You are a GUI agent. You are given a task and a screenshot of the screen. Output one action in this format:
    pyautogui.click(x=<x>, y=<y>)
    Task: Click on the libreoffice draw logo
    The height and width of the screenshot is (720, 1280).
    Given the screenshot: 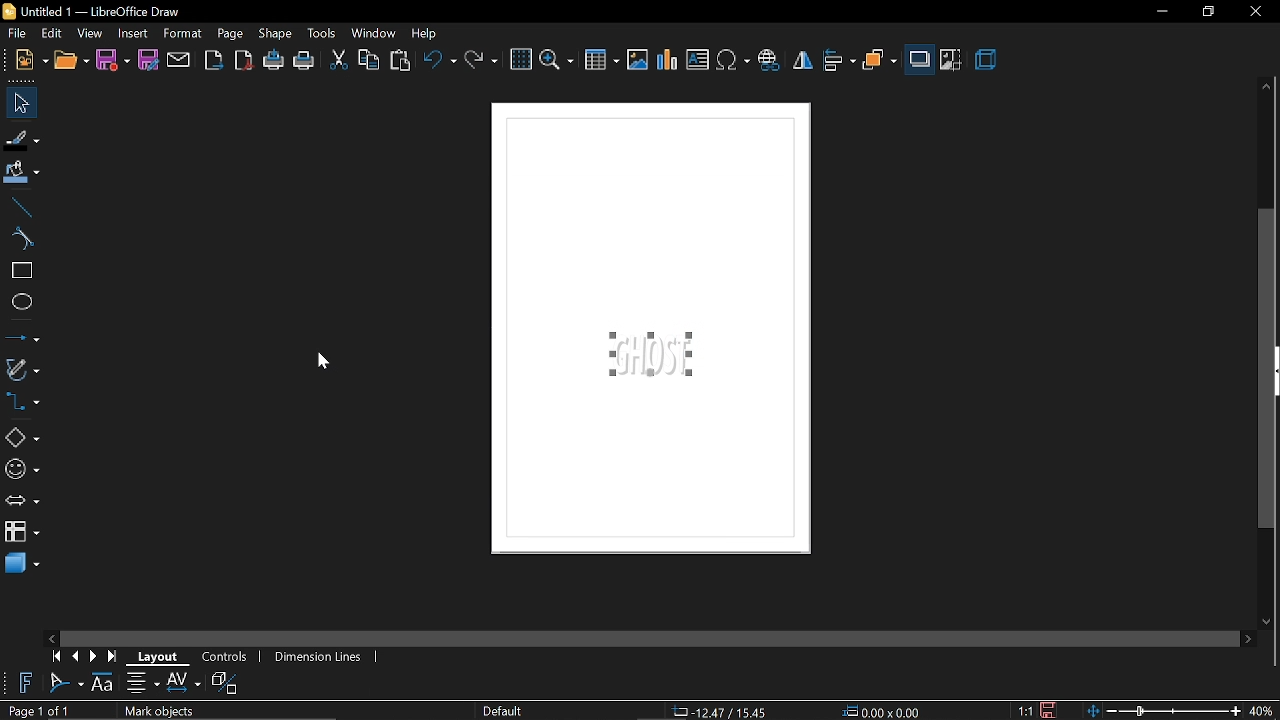 What is the action you would take?
    pyautogui.click(x=9, y=12)
    